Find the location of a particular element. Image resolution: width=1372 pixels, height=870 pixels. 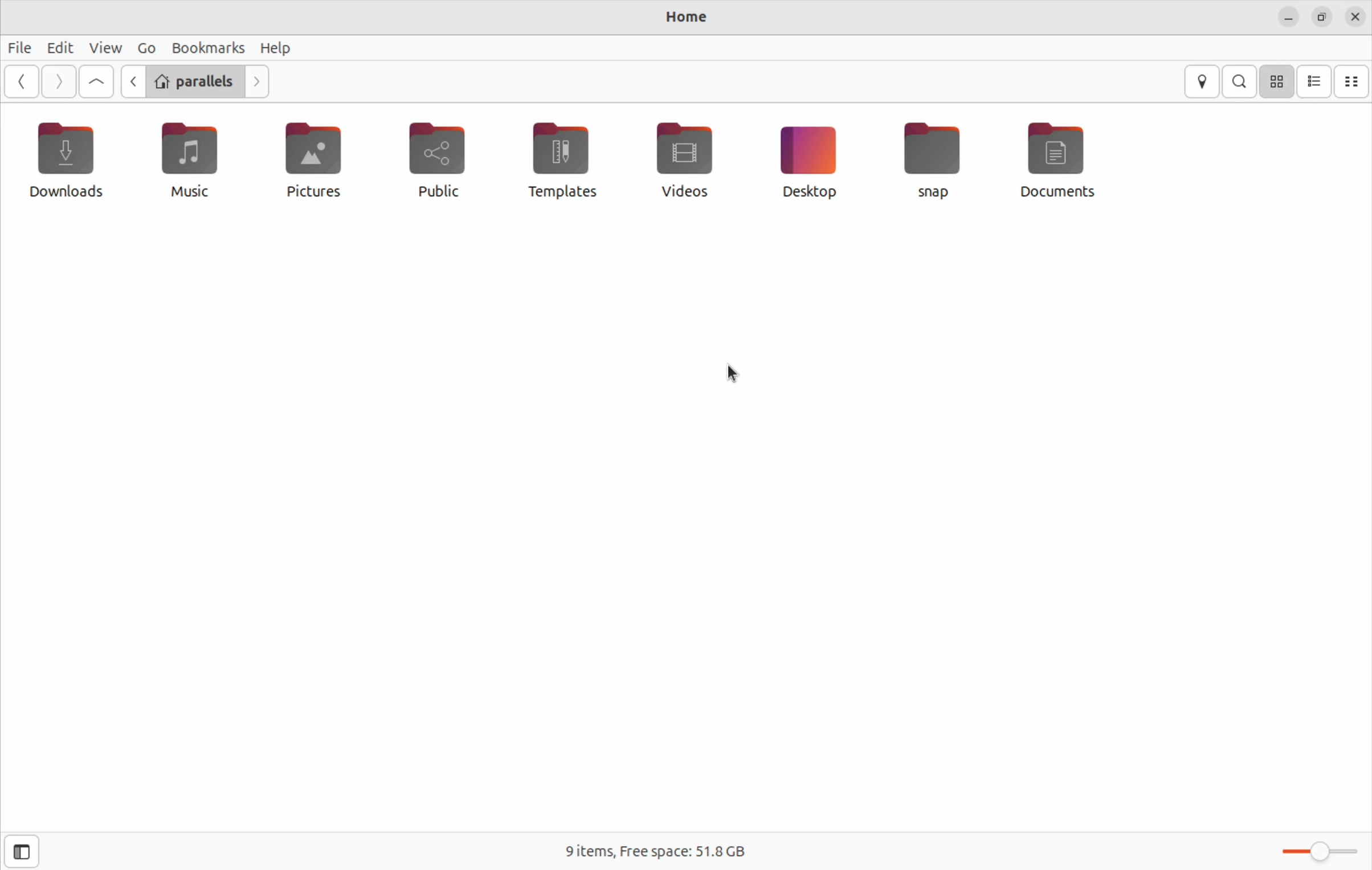

Go next is located at coordinates (259, 80).